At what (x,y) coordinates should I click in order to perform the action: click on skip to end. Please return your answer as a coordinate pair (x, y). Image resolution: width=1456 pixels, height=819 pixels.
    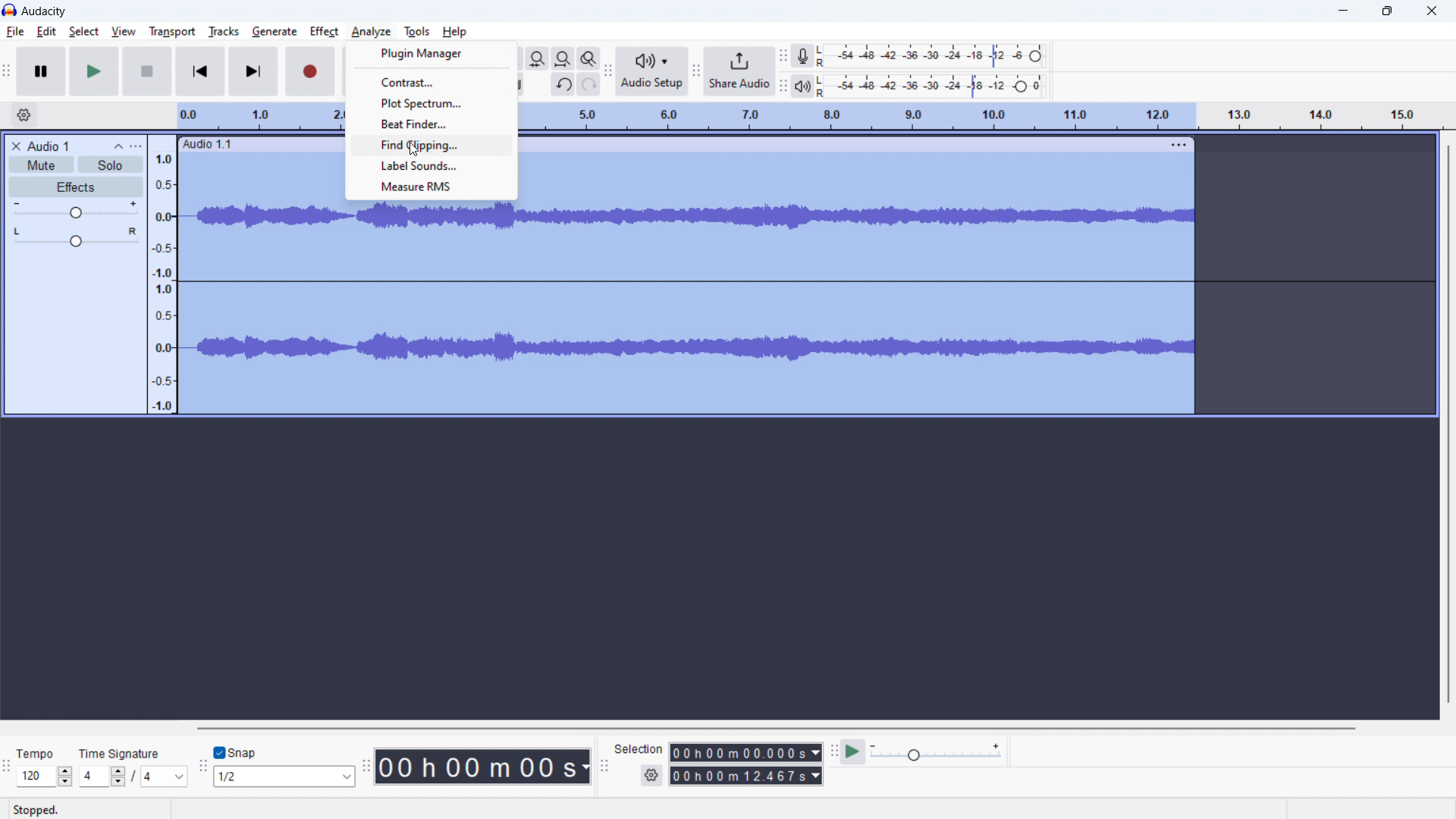
    Looking at the image, I should click on (254, 71).